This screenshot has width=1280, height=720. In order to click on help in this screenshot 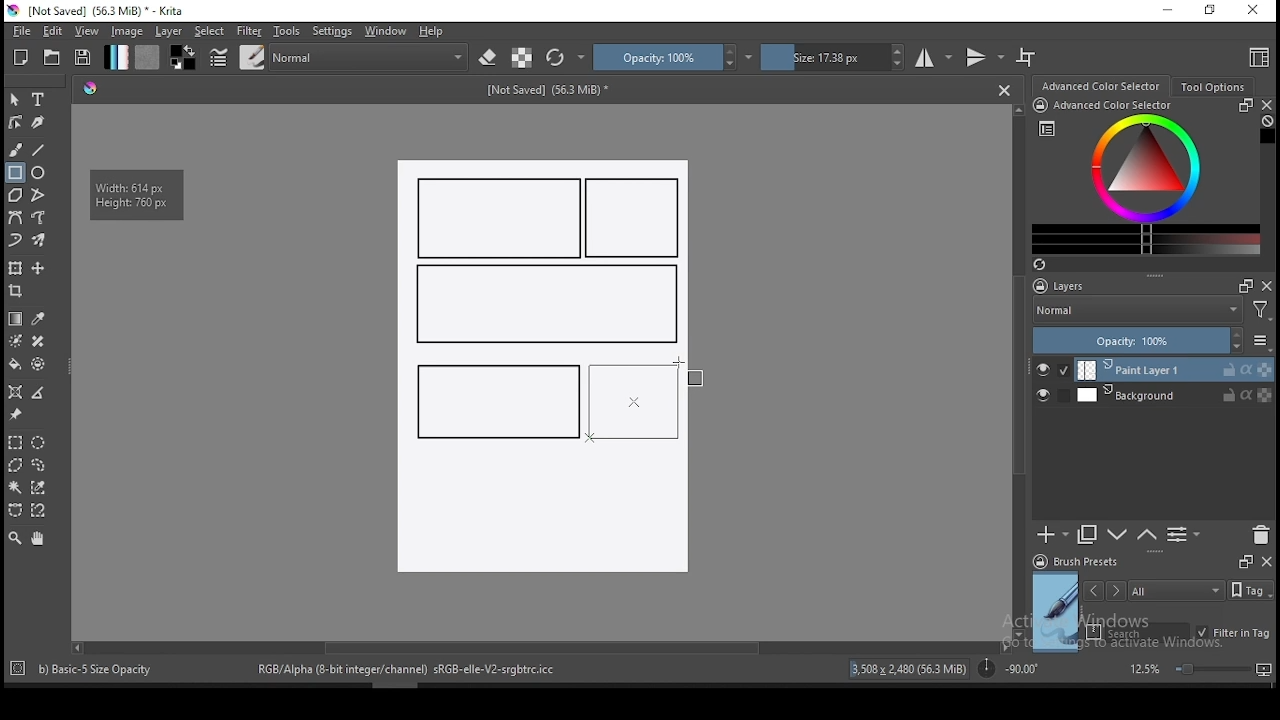, I will do `click(435, 32)`.